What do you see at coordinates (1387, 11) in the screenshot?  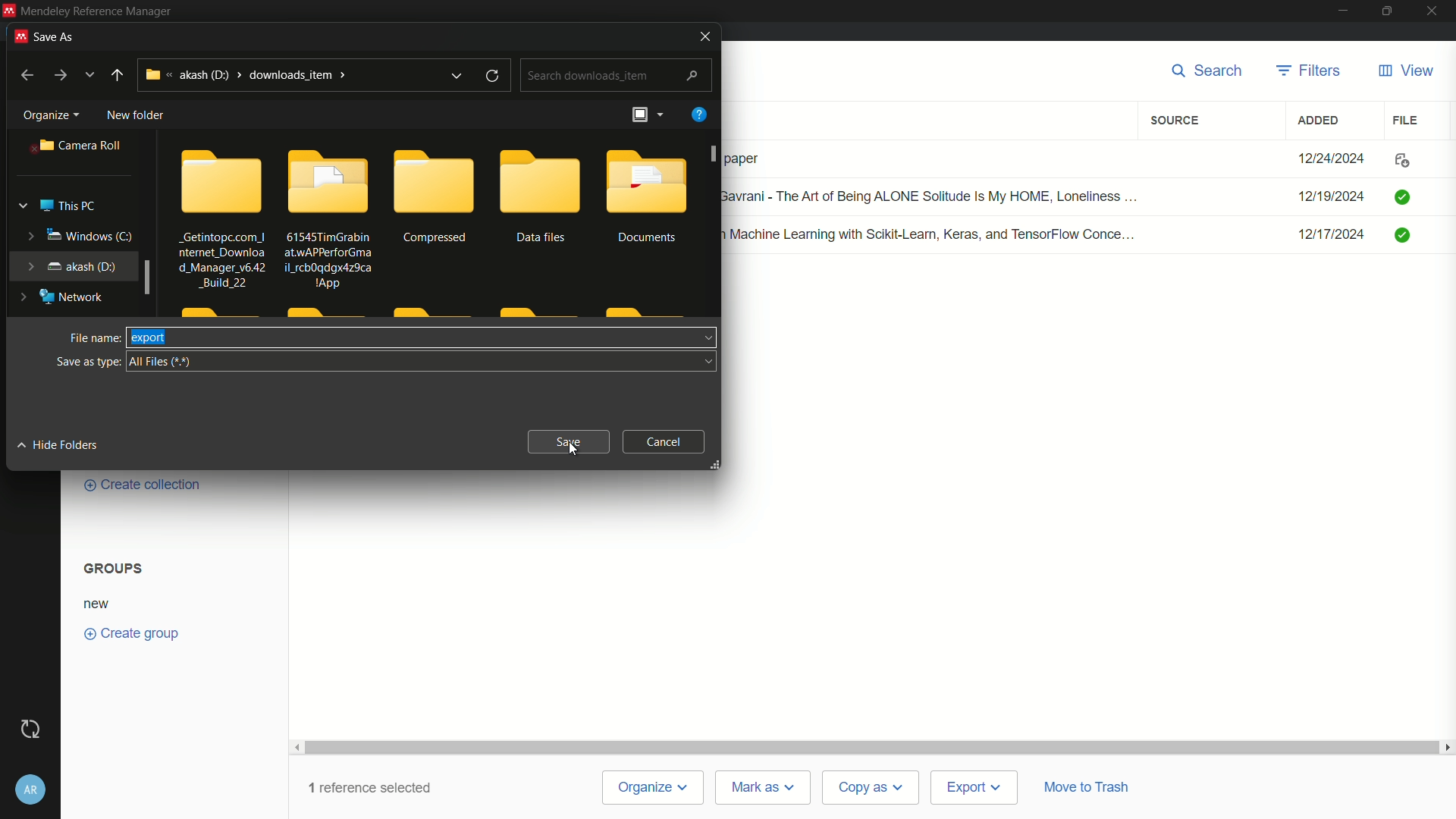 I see `maximize` at bounding box center [1387, 11].